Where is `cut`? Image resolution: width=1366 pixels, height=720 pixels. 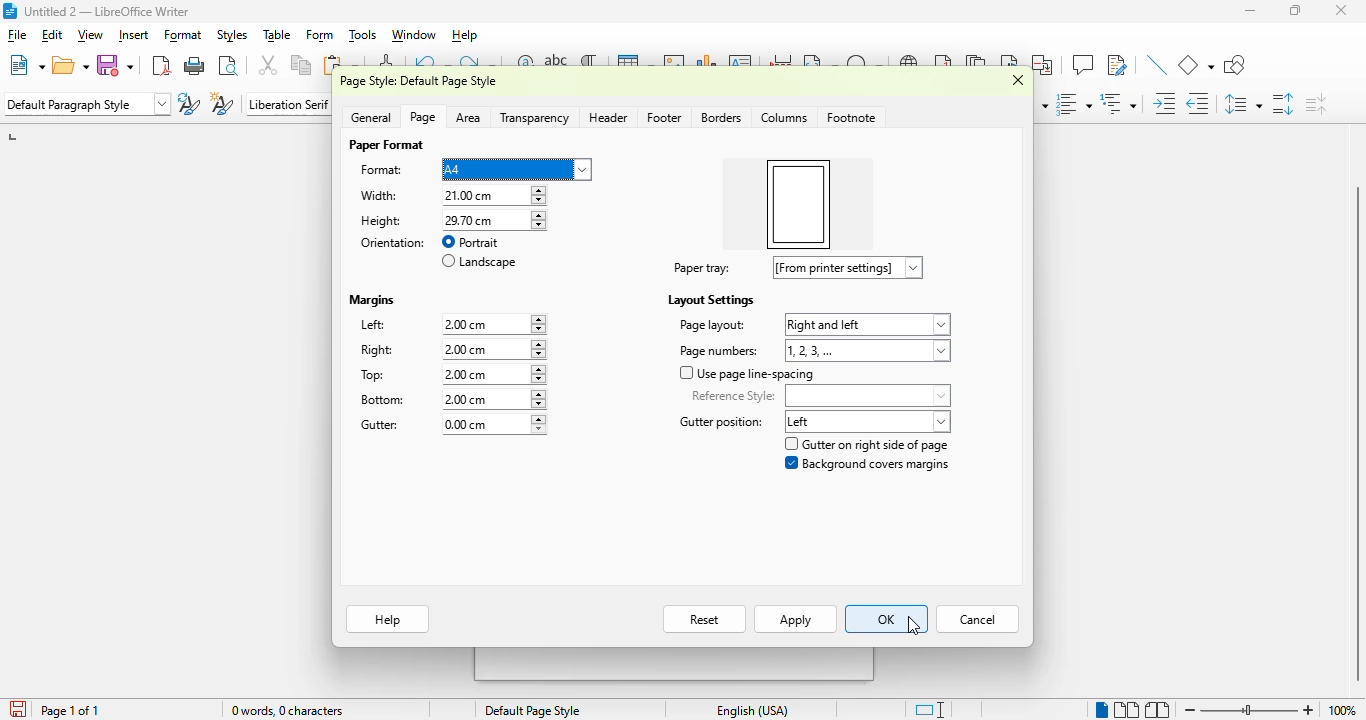
cut is located at coordinates (267, 65).